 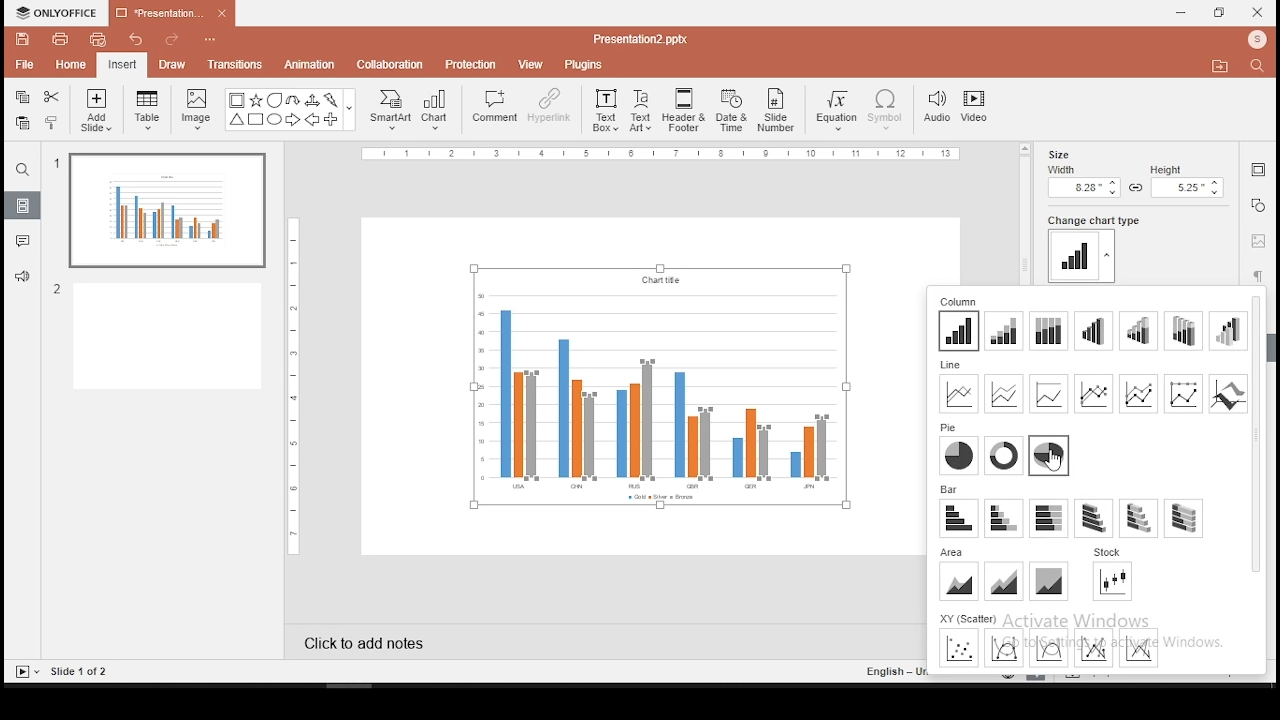 I want to click on column 3, so click(x=1050, y=332).